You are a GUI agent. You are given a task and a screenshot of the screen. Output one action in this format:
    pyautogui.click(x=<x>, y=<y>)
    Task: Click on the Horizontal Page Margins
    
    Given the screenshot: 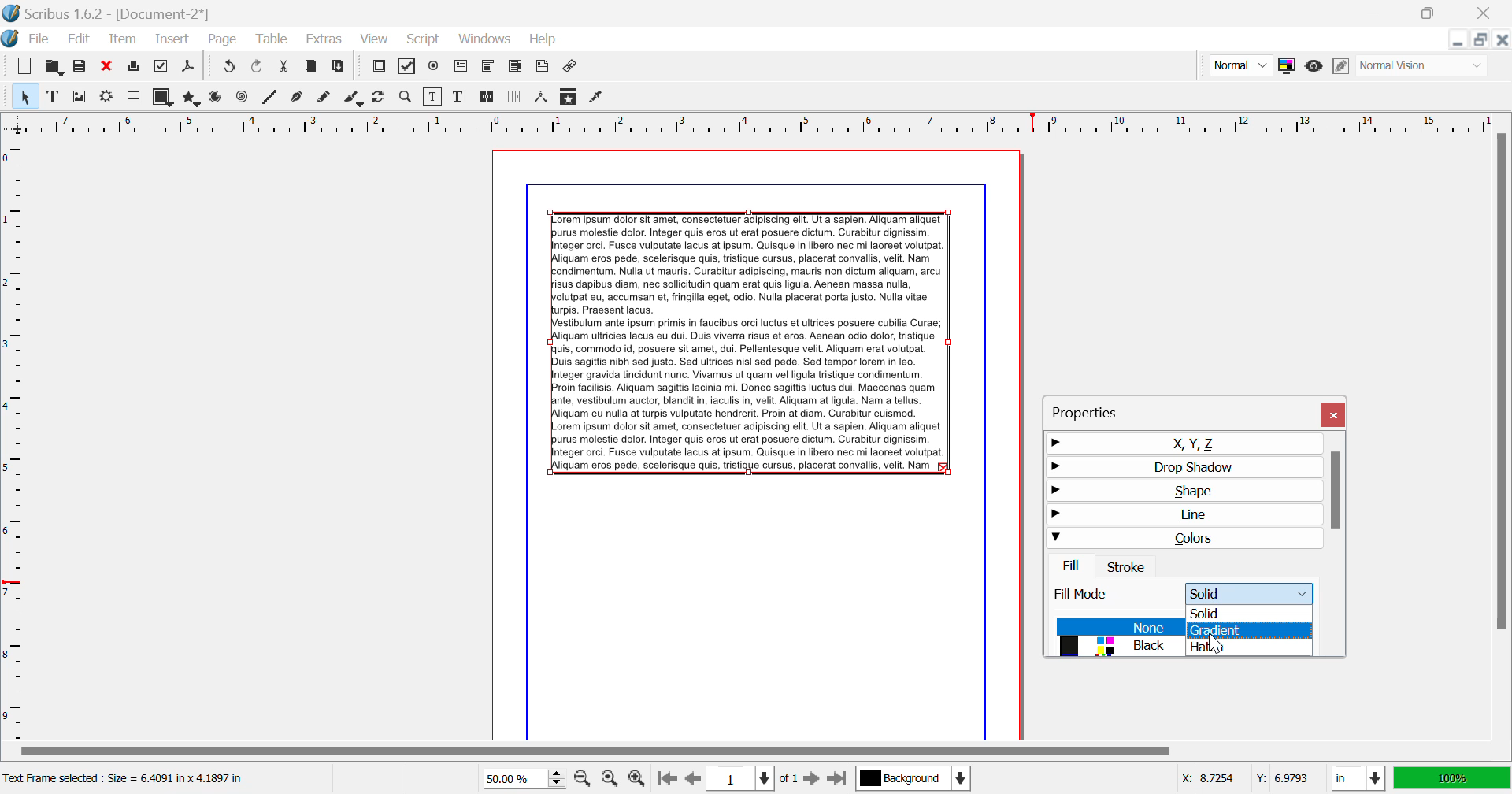 What is the action you would take?
    pyautogui.click(x=15, y=439)
    